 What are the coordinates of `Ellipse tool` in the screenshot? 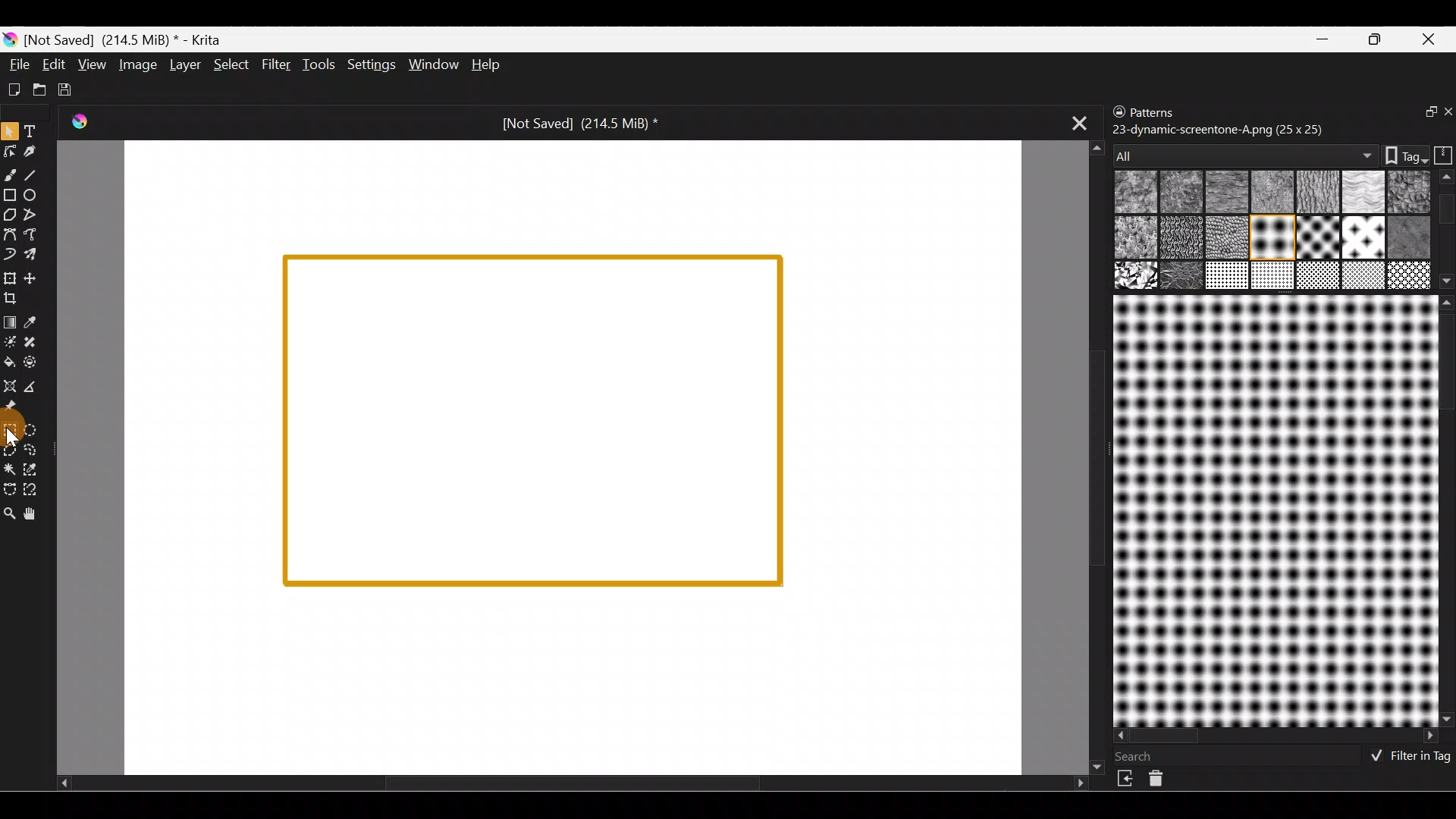 It's located at (37, 195).